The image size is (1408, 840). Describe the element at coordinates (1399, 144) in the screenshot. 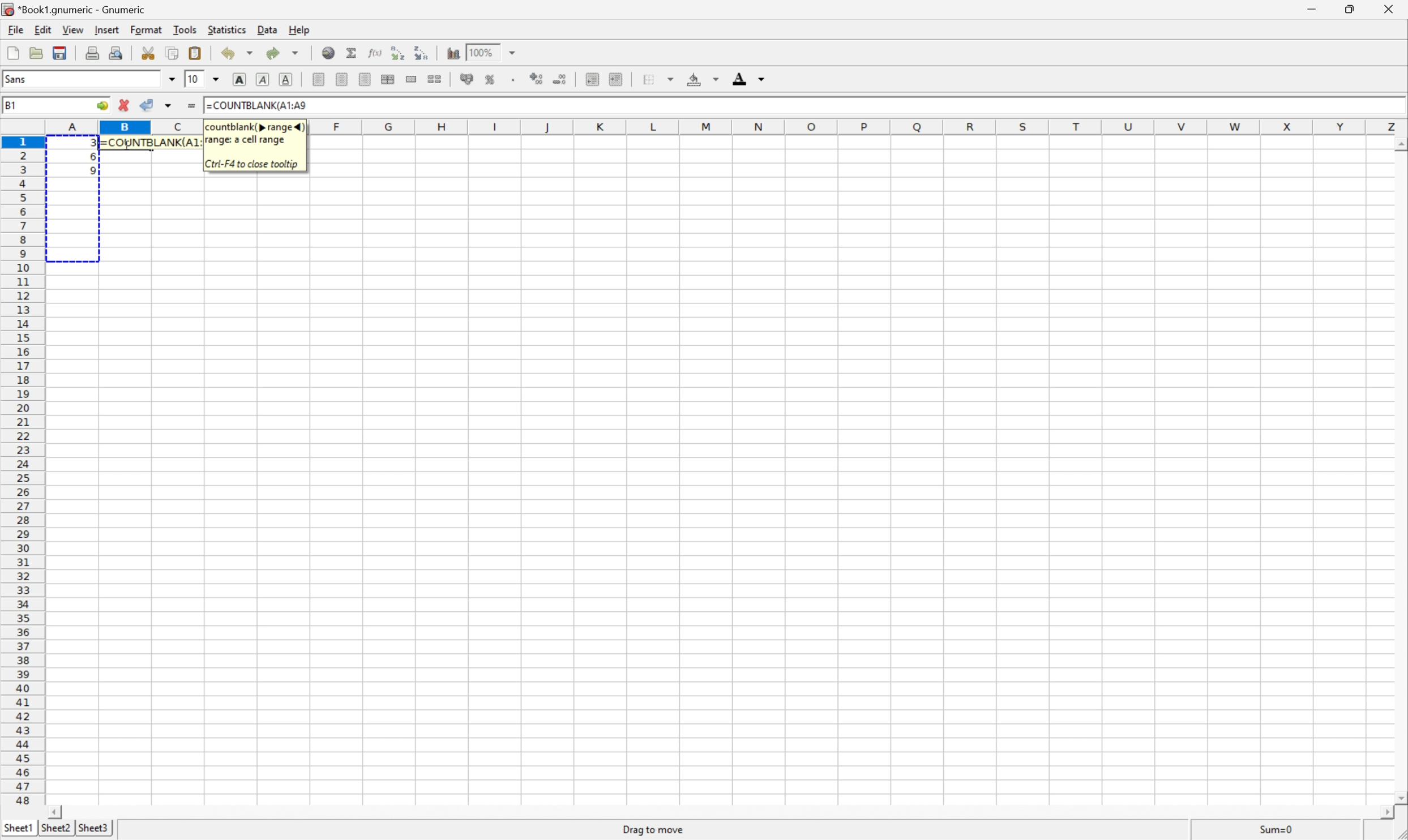

I see `Scroll Up` at that location.